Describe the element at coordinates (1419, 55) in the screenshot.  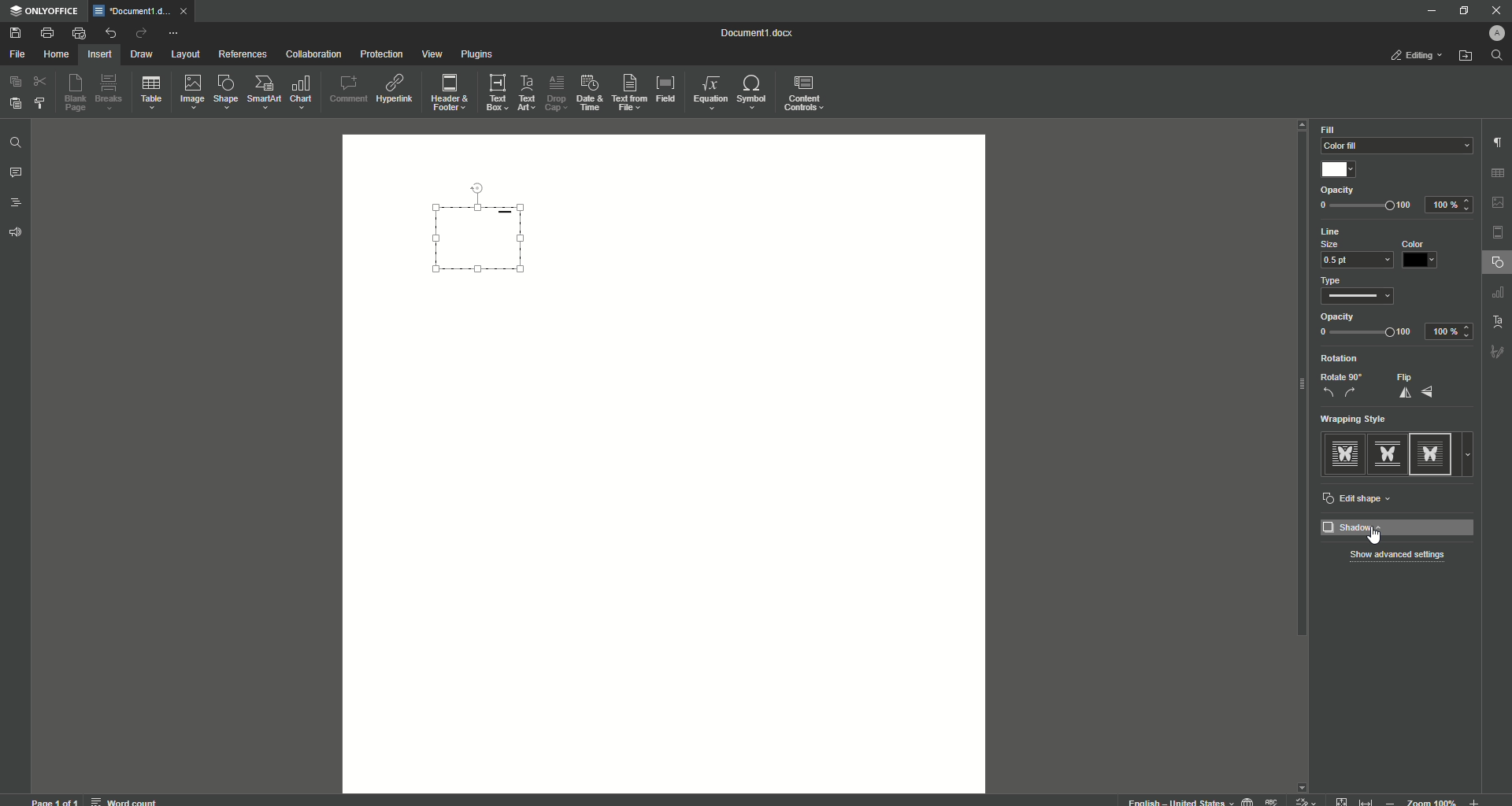
I see `Editing` at that location.